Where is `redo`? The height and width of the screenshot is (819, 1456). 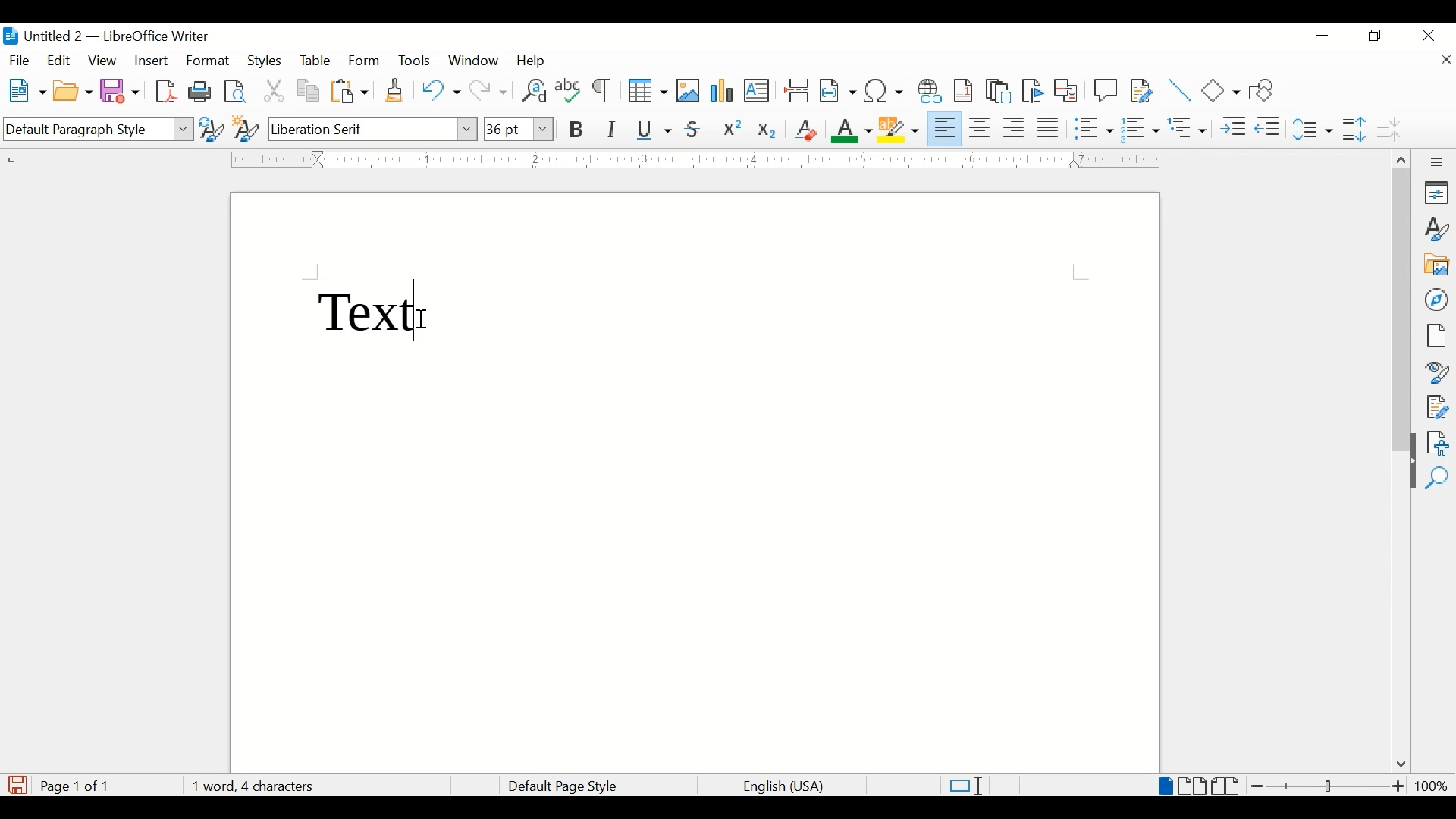 redo is located at coordinates (489, 91).